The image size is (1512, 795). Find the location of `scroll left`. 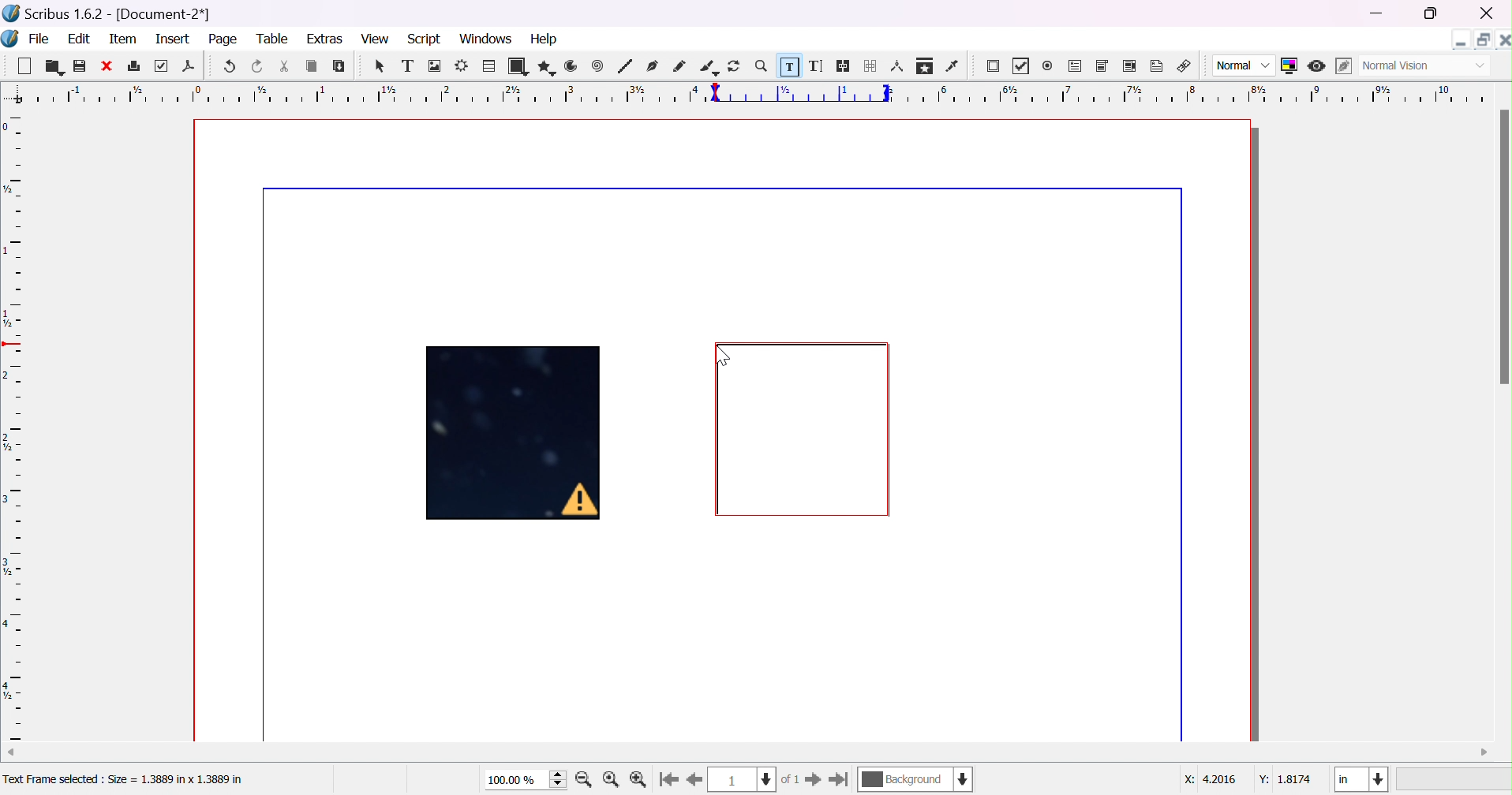

scroll left is located at coordinates (9, 751).